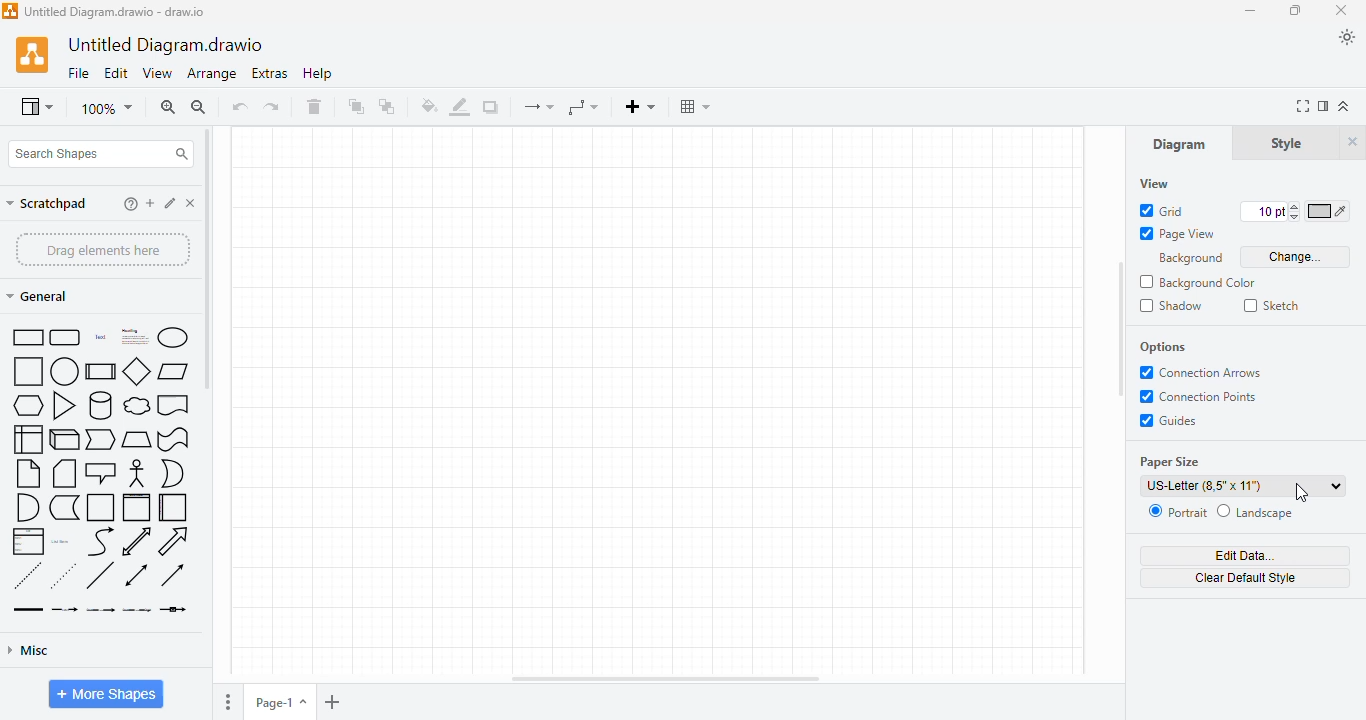  What do you see at coordinates (137, 370) in the screenshot?
I see `diamond` at bounding box center [137, 370].